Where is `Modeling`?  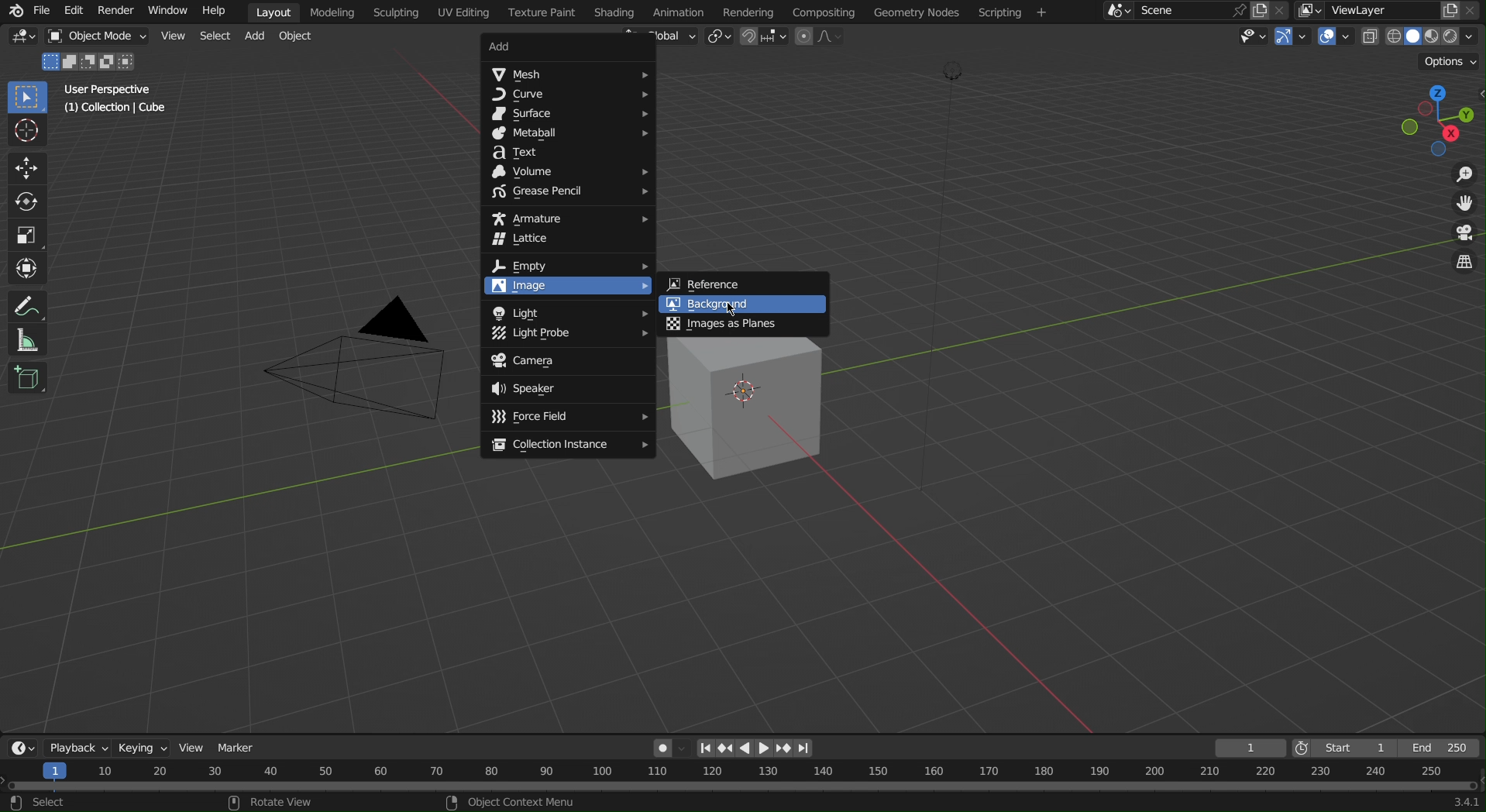
Modeling is located at coordinates (334, 12).